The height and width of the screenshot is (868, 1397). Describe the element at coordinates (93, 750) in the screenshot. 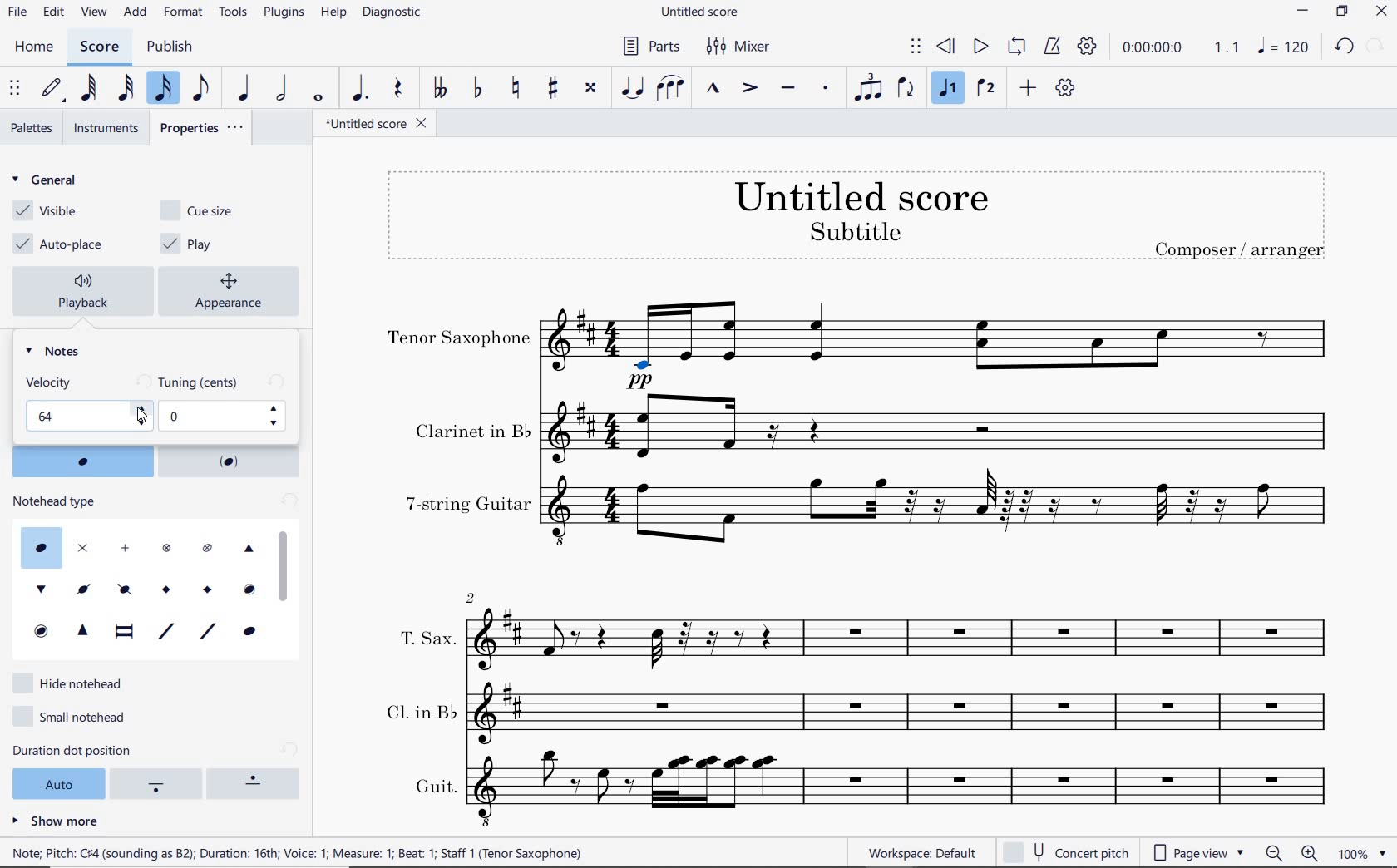

I see `duration dot position` at that location.